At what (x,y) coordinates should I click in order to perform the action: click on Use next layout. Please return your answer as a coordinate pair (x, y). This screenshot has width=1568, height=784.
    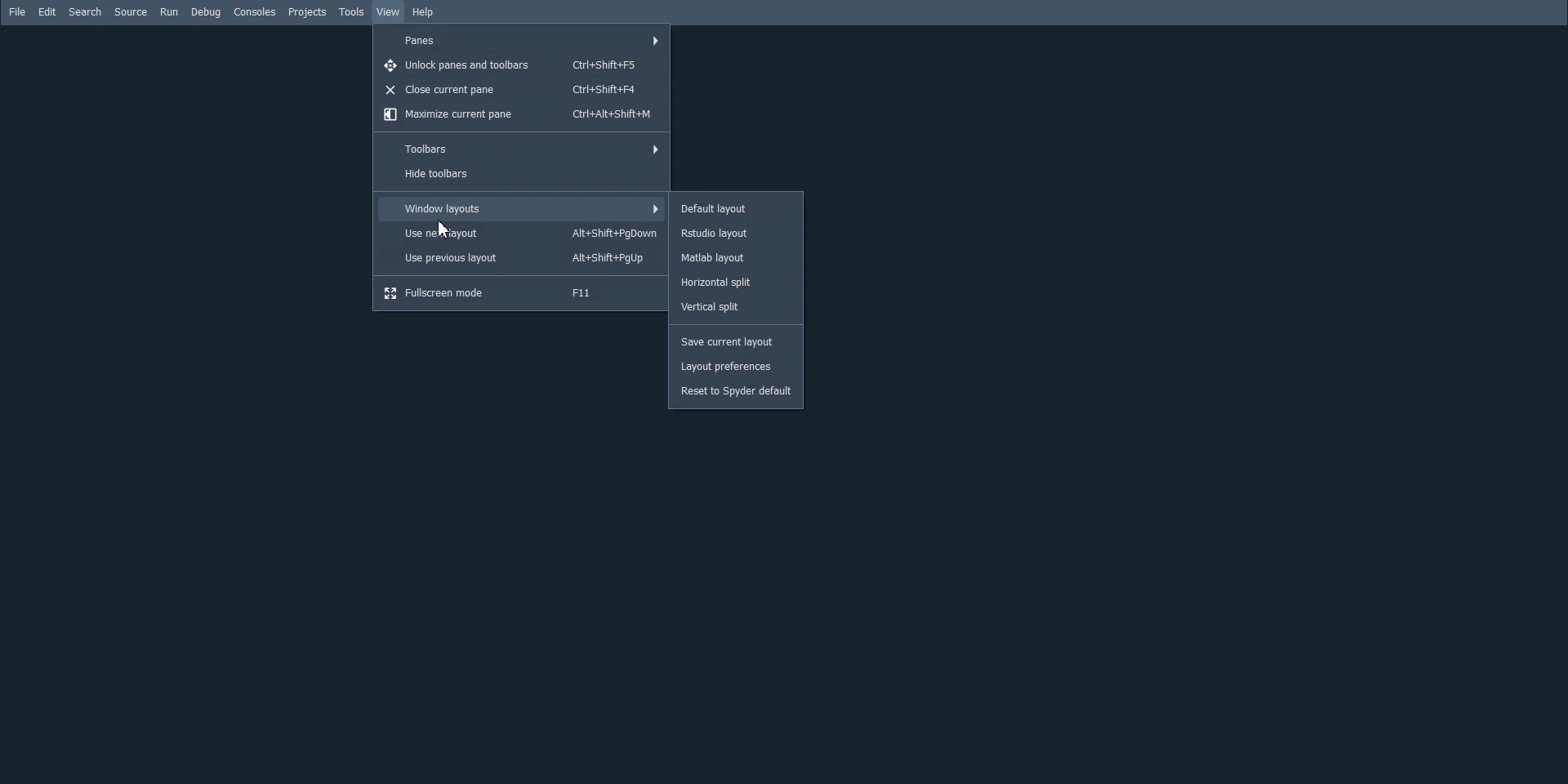
    Looking at the image, I should click on (522, 233).